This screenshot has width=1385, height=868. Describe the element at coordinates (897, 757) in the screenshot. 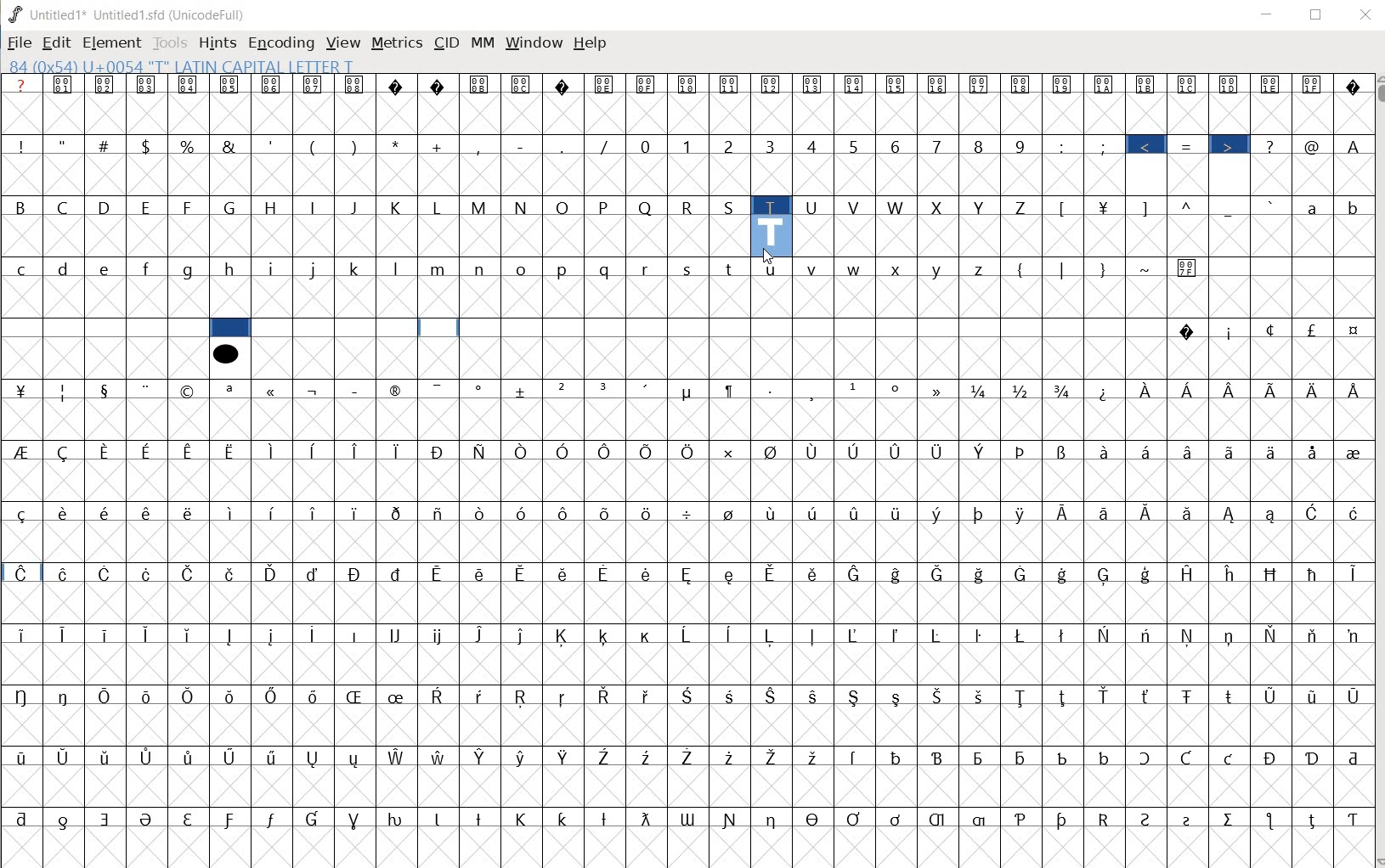

I see `Symbol` at that location.